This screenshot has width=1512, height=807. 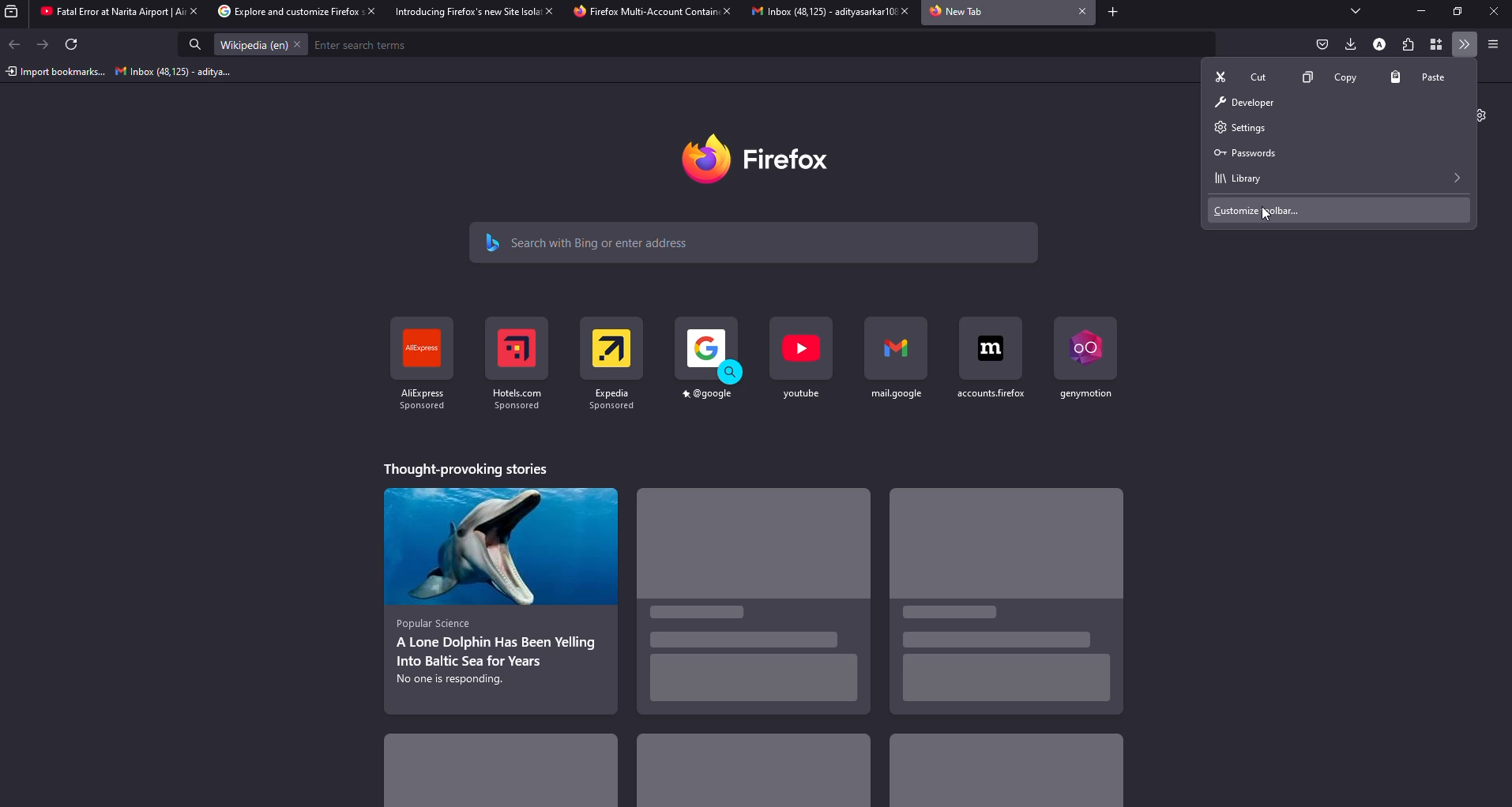 What do you see at coordinates (462, 12) in the screenshot?
I see `tab` at bounding box center [462, 12].